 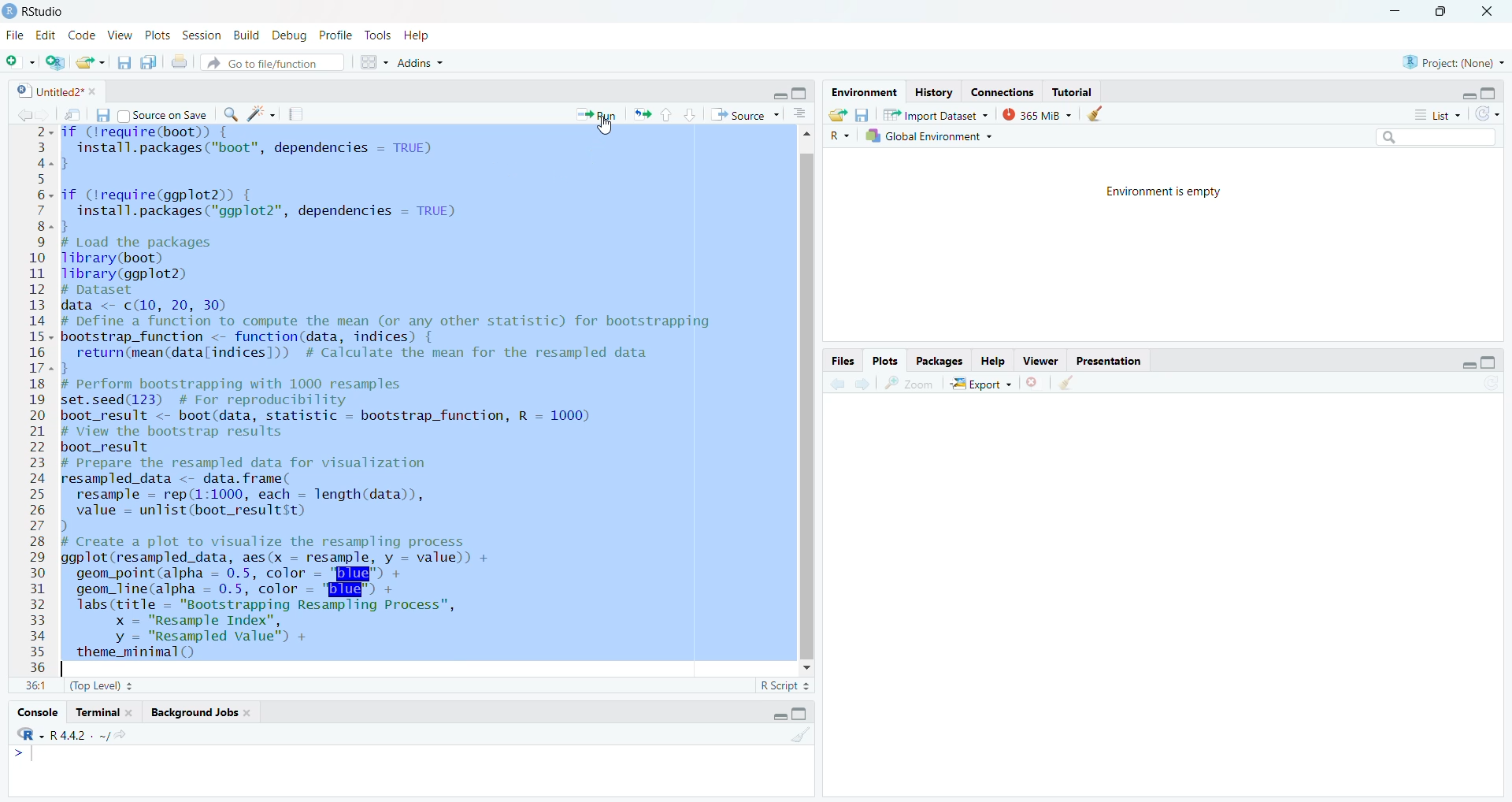 What do you see at coordinates (1490, 91) in the screenshot?
I see `hide console` at bounding box center [1490, 91].